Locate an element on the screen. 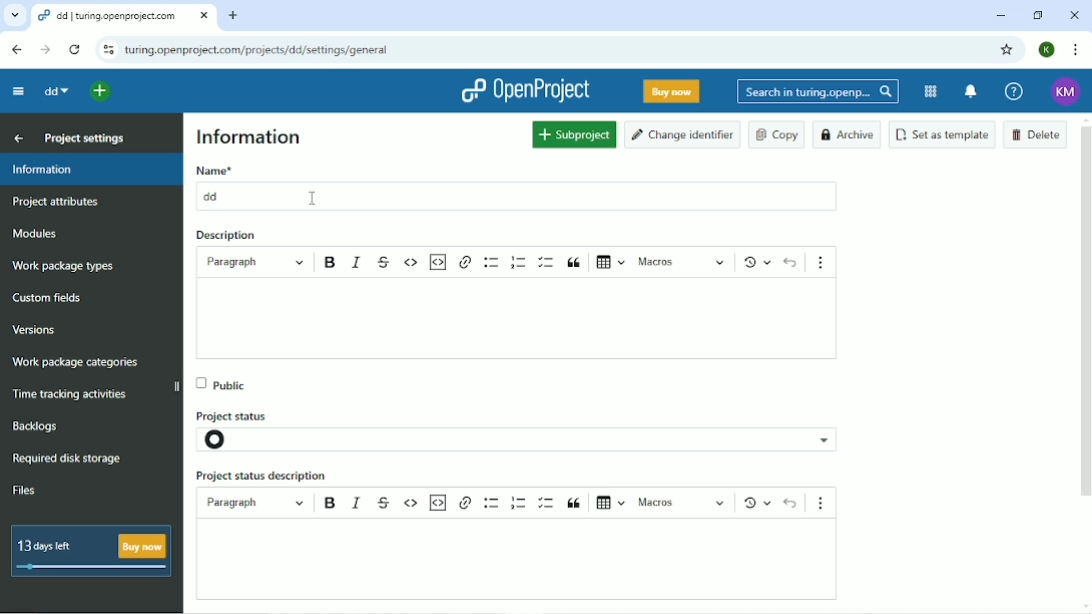 This screenshot has height=614, width=1092. Bulleted list is located at coordinates (492, 263).